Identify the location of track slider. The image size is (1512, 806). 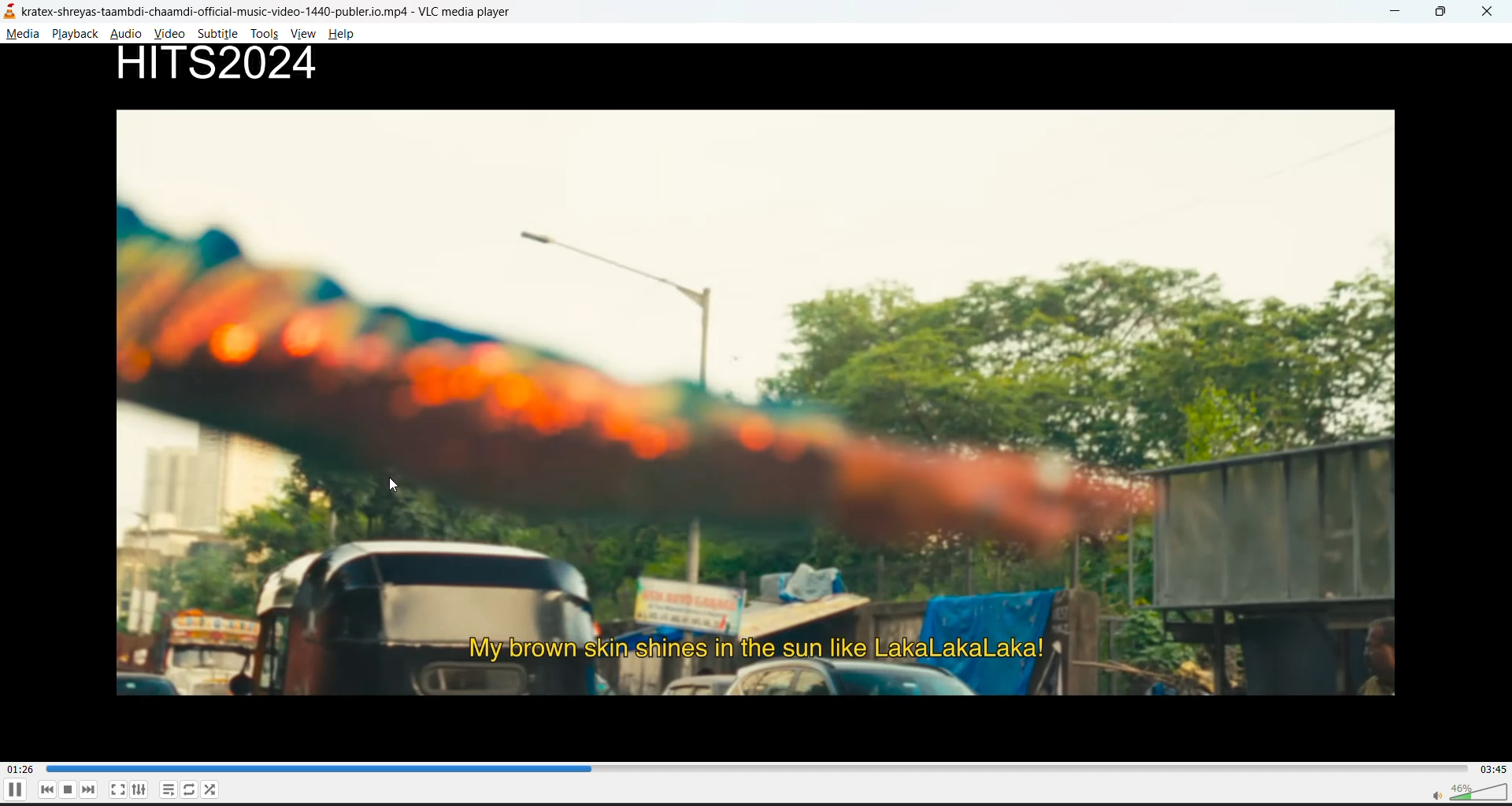
(752, 769).